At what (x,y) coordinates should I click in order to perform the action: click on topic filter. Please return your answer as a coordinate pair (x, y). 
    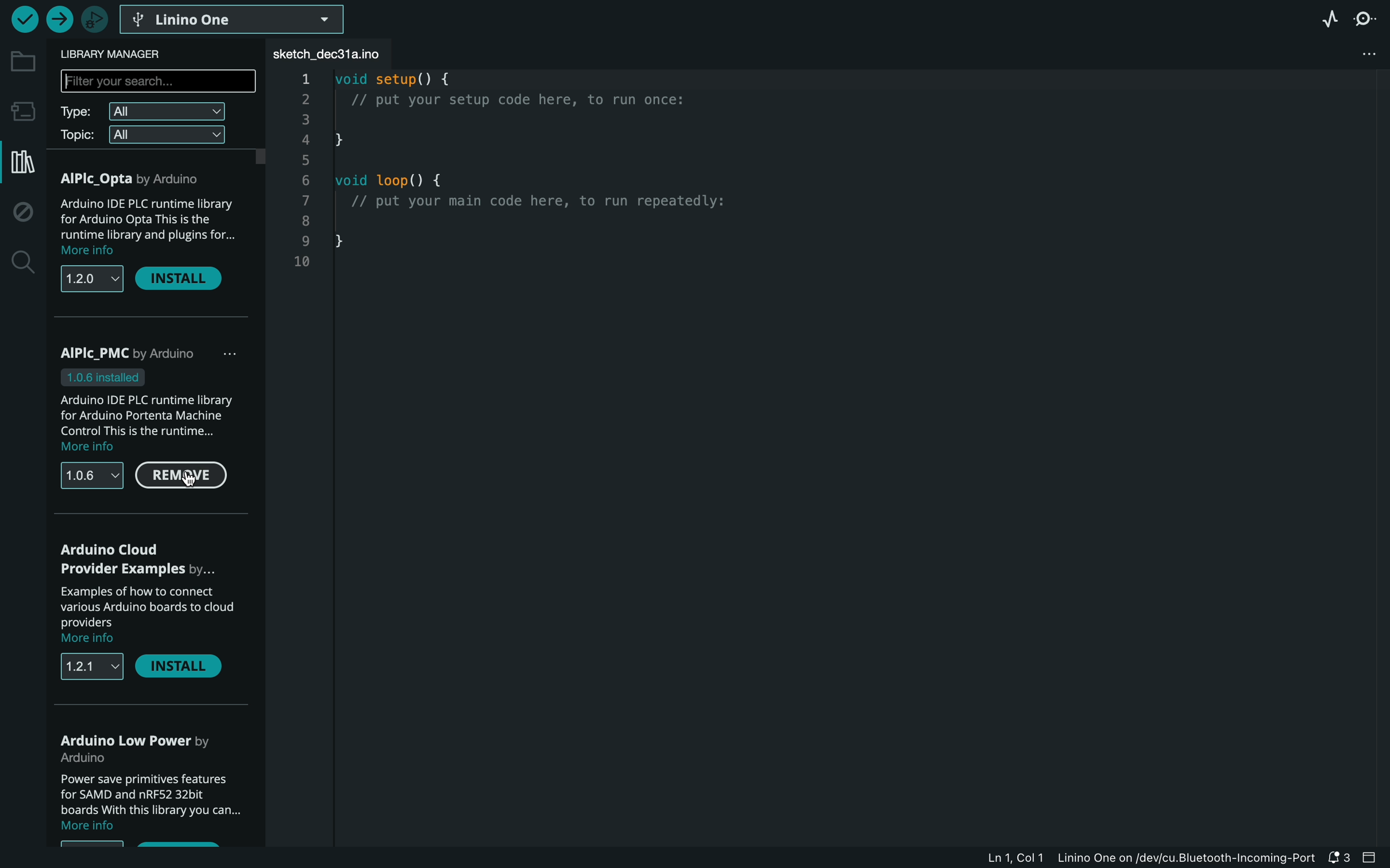
    Looking at the image, I should click on (143, 134).